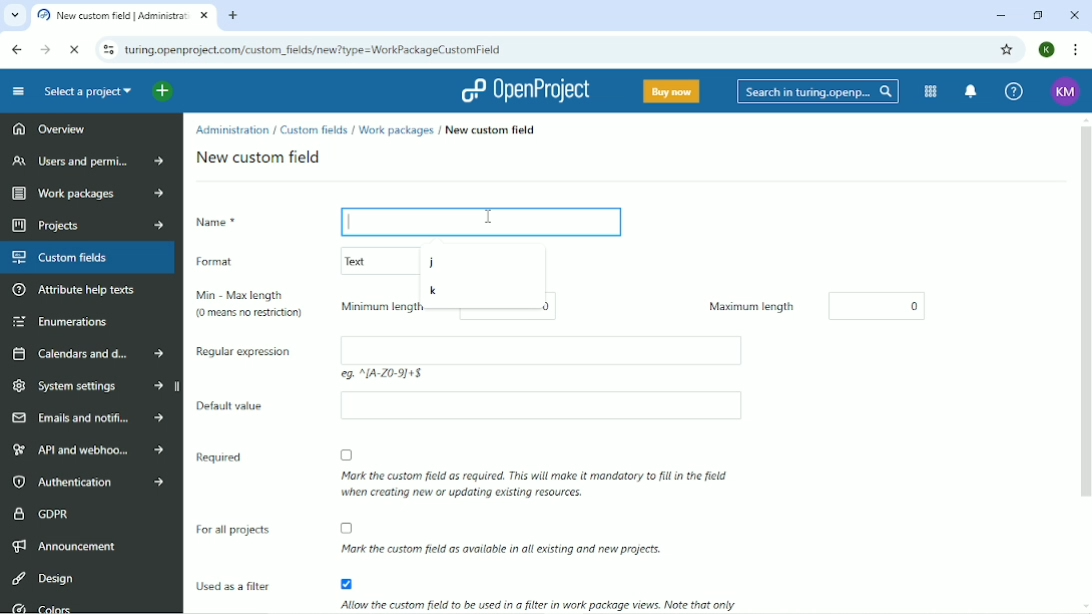  I want to click on New custom field, so click(267, 157).